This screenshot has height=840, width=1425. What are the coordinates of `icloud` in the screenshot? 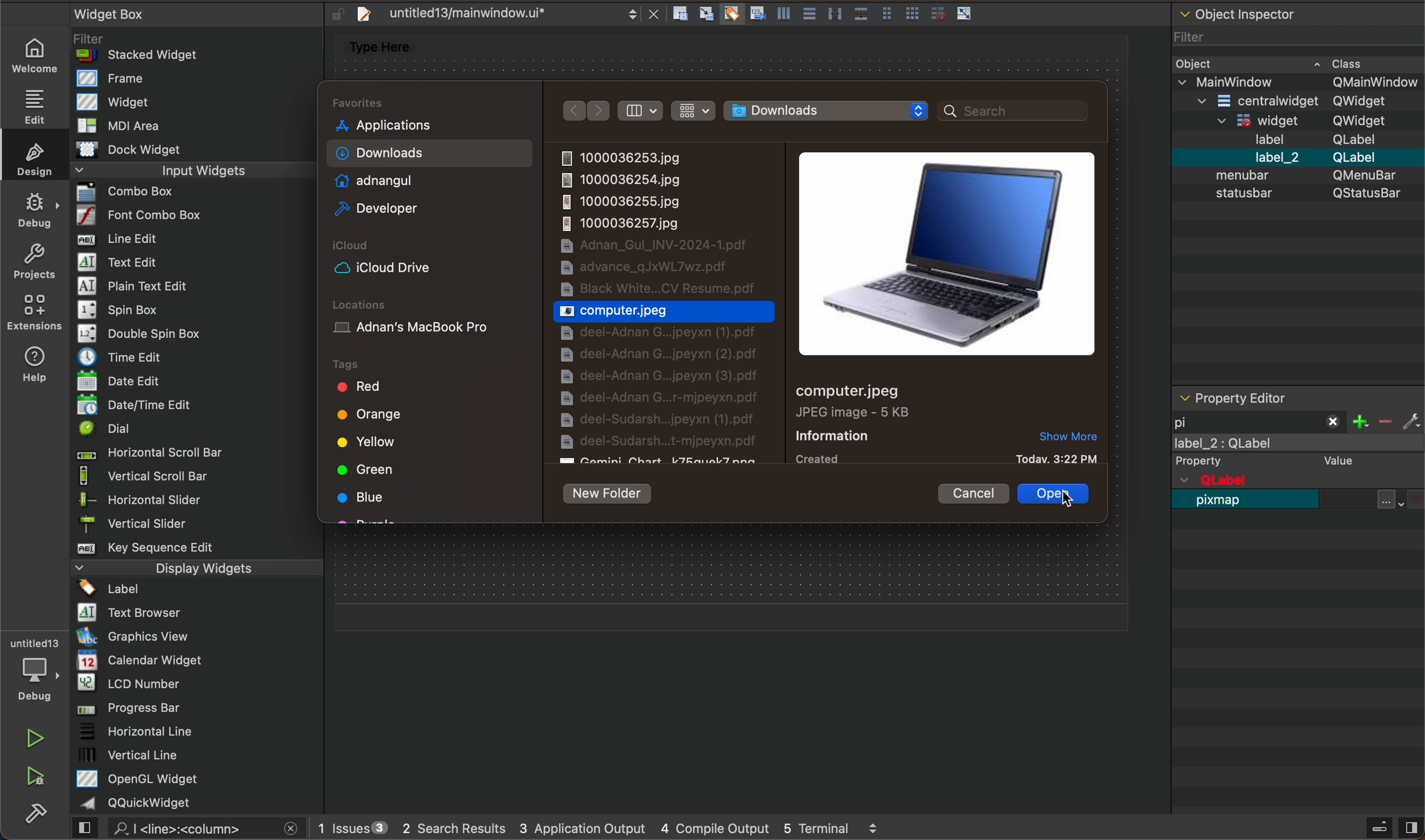 It's located at (426, 267).